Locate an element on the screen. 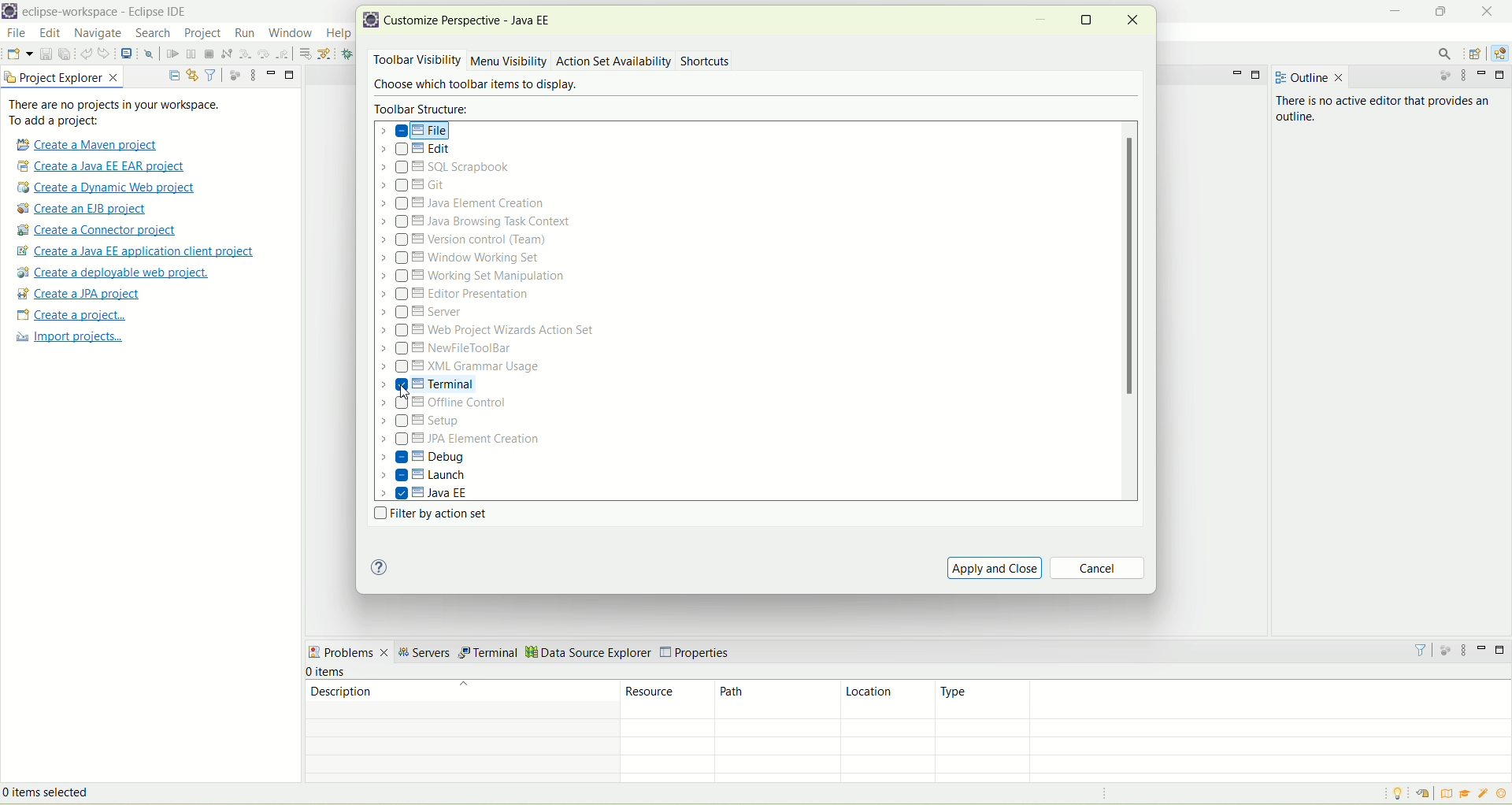 This screenshot has width=1512, height=805. terminal is located at coordinates (452, 384).